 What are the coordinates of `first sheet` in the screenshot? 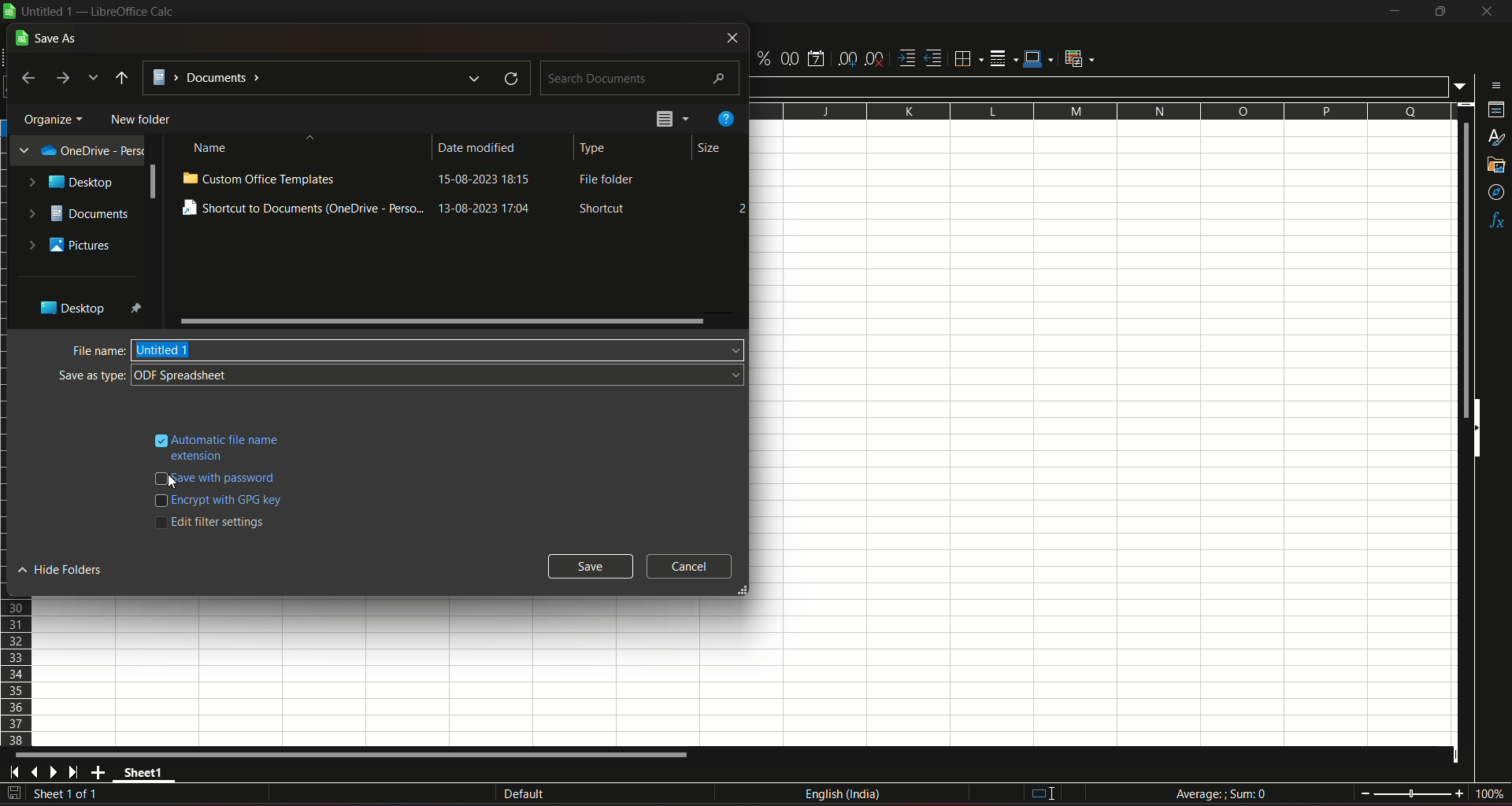 It's located at (17, 772).